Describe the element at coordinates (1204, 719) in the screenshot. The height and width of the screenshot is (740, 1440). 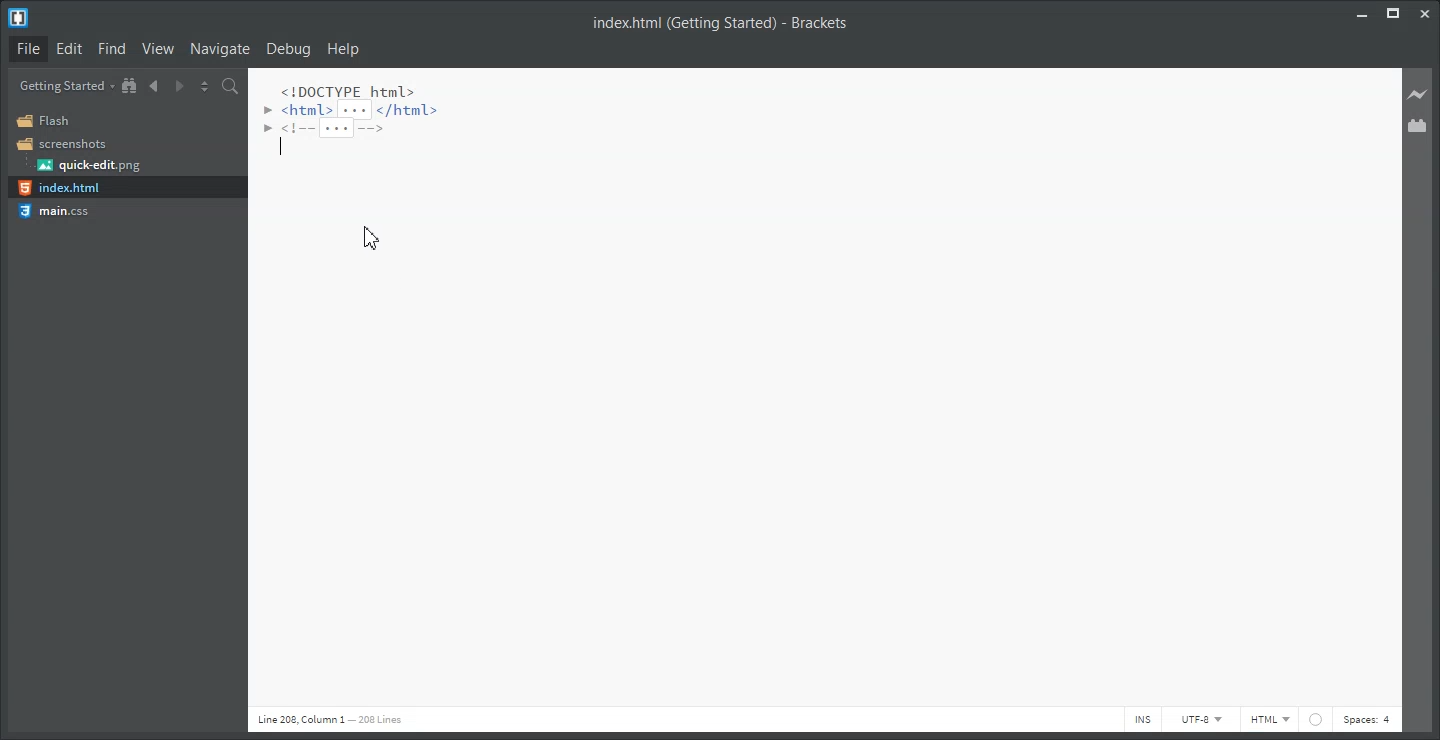
I see `UTF-8` at that location.